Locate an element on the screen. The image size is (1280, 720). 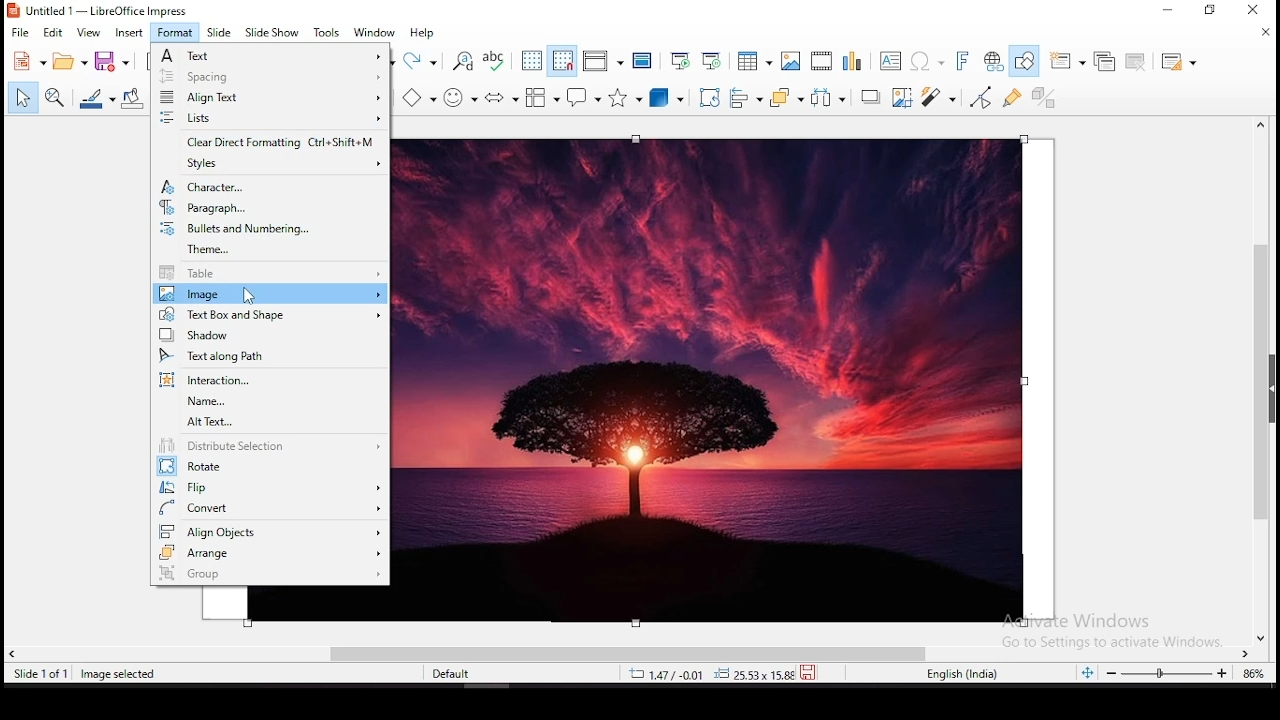
table is located at coordinates (270, 274).